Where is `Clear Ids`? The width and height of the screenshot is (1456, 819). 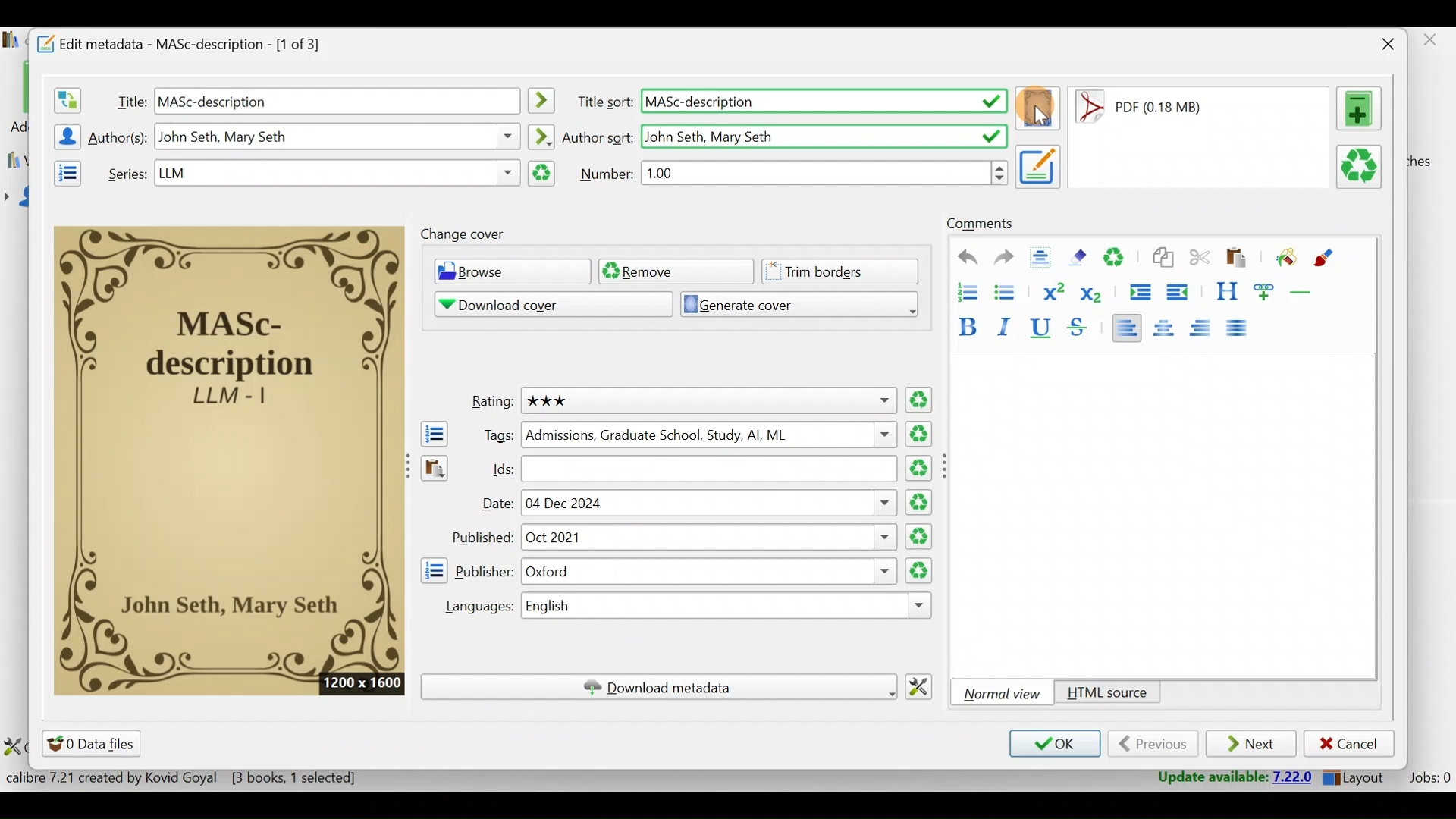
Clear Ids is located at coordinates (921, 469).